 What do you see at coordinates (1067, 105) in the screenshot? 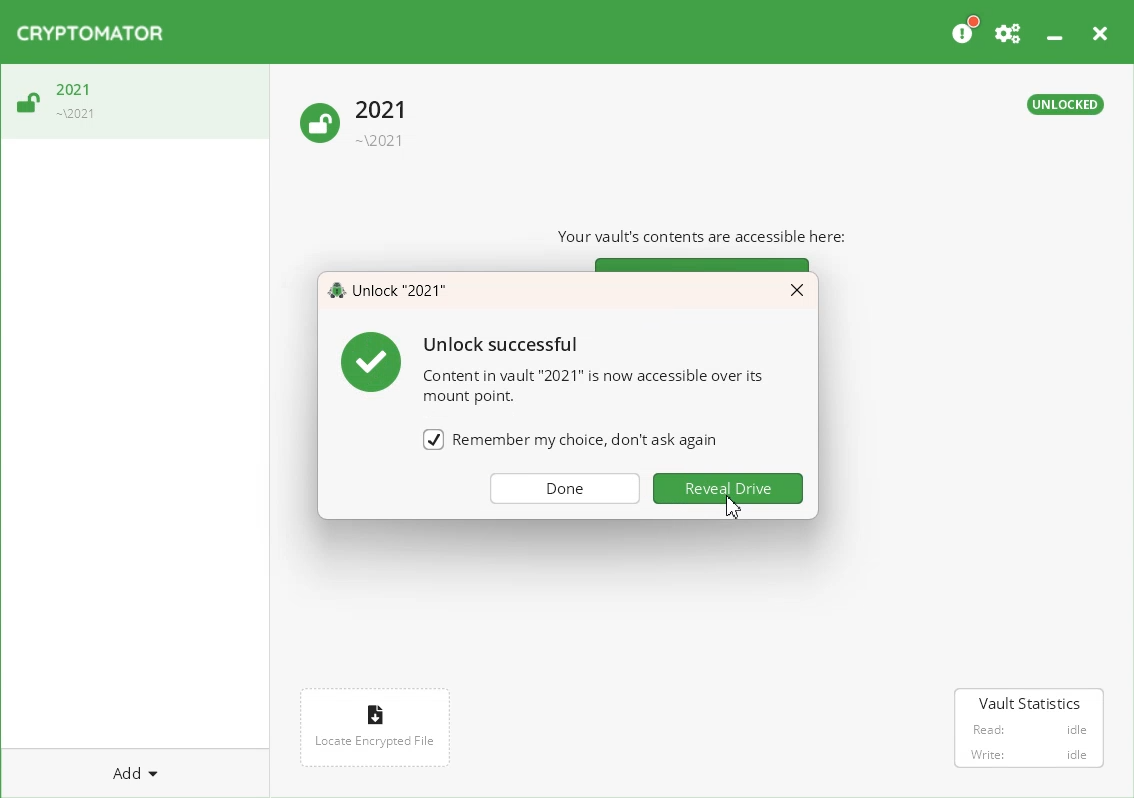
I see `Text` at bounding box center [1067, 105].